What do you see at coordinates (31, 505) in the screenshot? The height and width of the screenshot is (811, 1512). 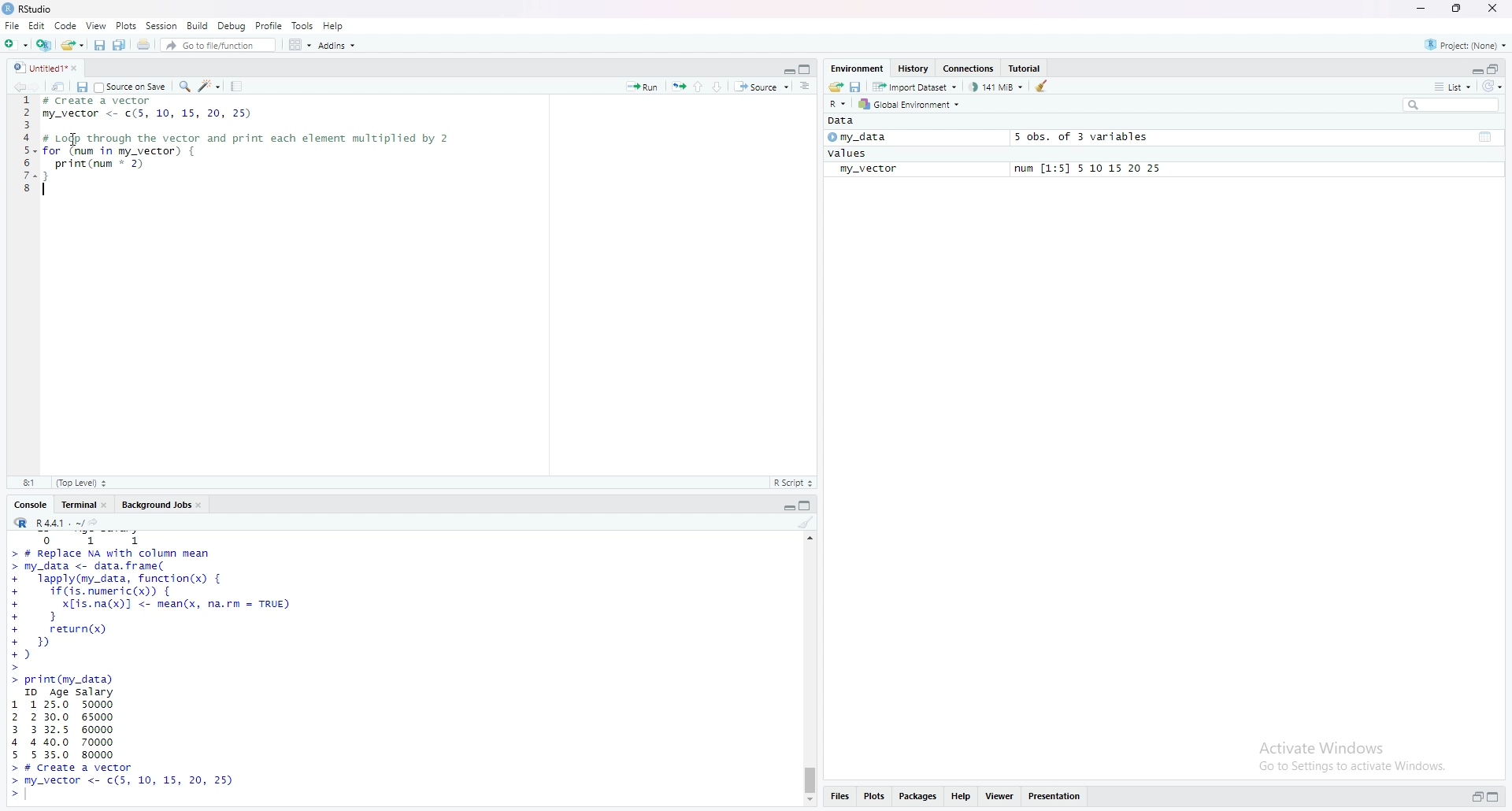 I see `console` at bounding box center [31, 505].